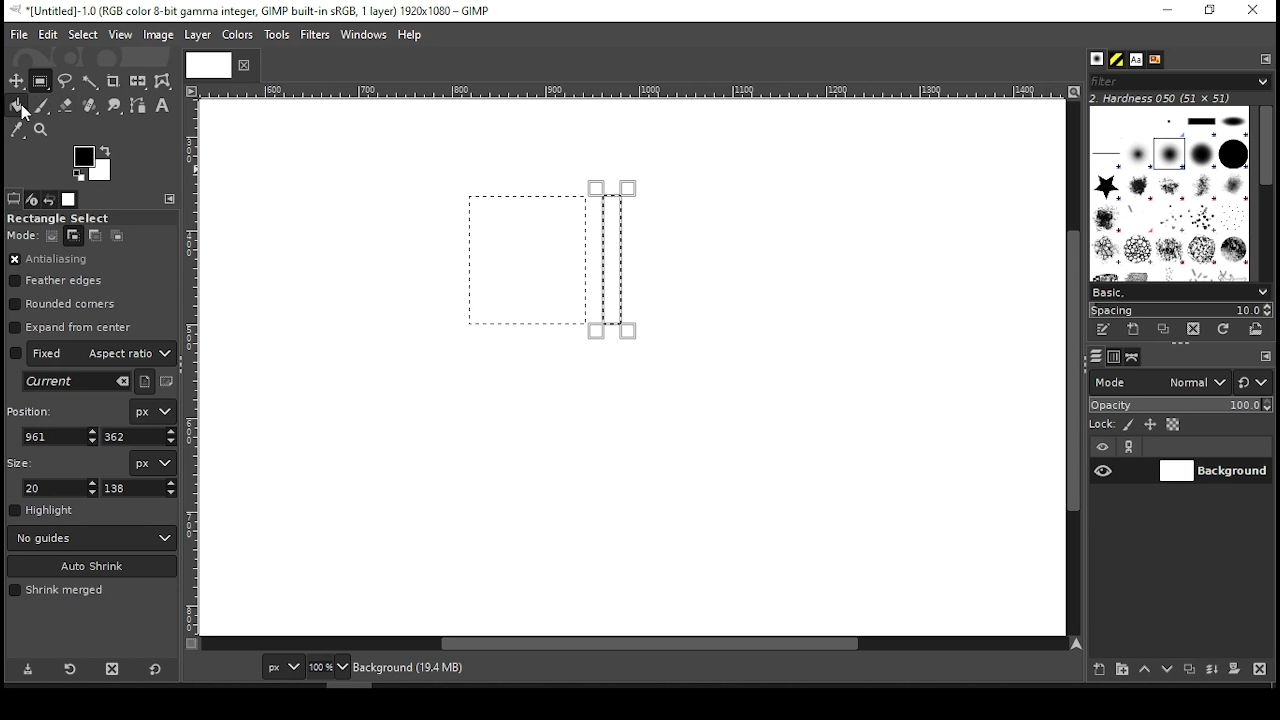 The image size is (1280, 720). Describe the element at coordinates (82, 33) in the screenshot. I see `select` at that location.